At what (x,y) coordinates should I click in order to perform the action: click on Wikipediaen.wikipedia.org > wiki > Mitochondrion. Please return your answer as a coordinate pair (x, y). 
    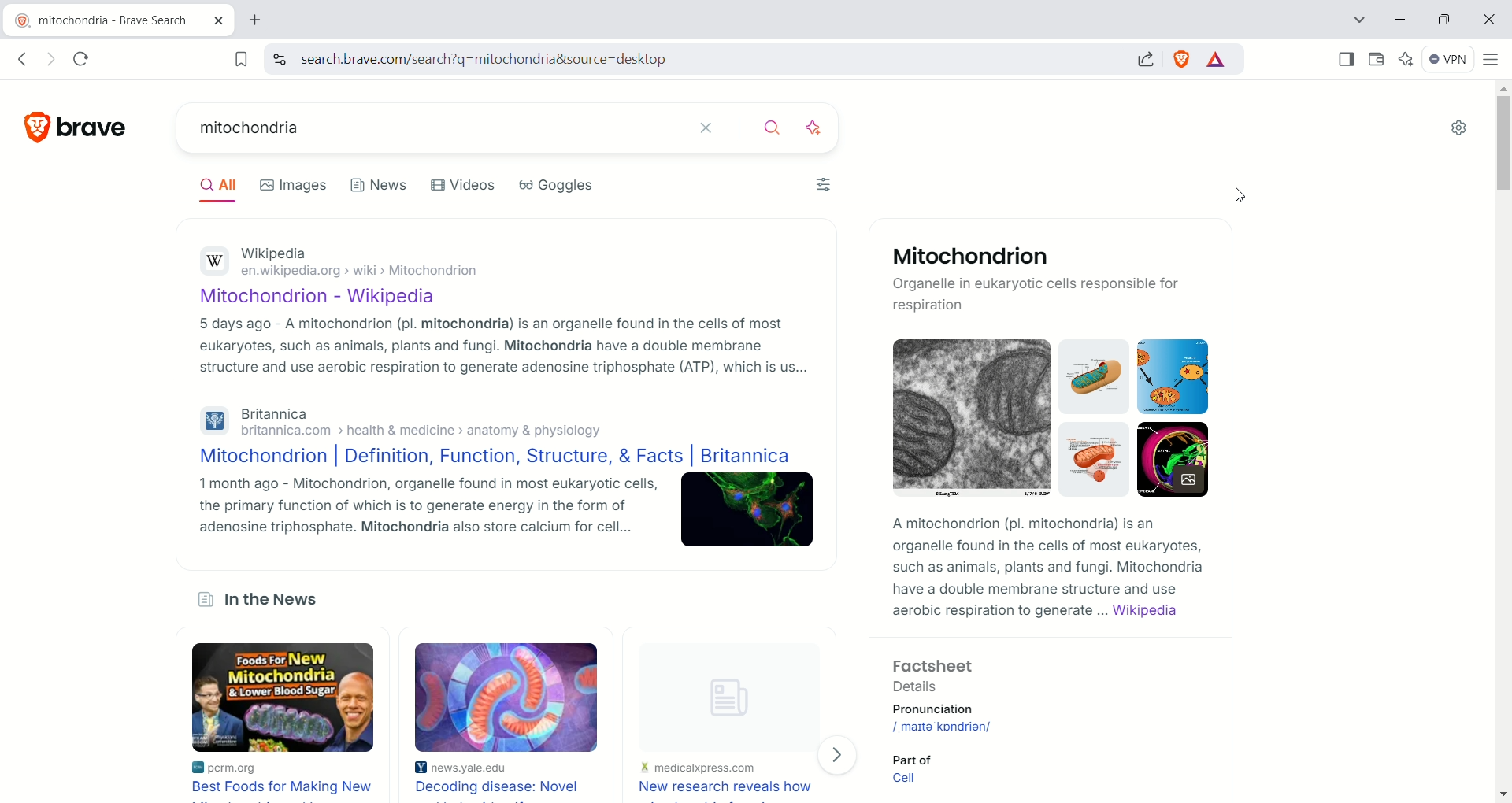
    Looking at the image, I should click on (391, 261).